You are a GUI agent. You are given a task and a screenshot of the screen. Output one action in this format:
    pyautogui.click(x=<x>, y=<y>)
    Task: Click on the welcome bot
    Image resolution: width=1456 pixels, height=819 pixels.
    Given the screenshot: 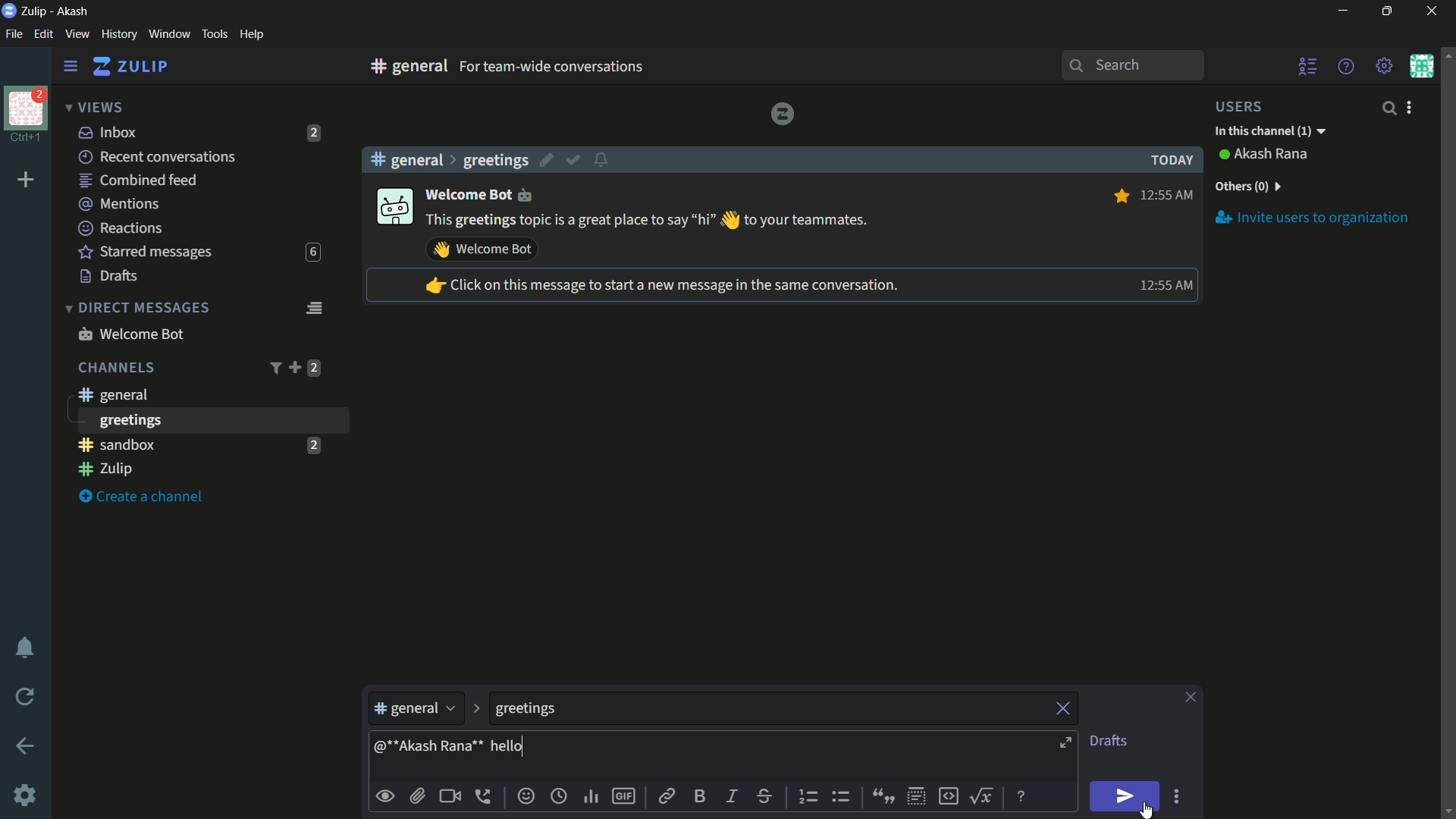 What is the action you would take?
    pyautogui.click(x=481, y=193)
    